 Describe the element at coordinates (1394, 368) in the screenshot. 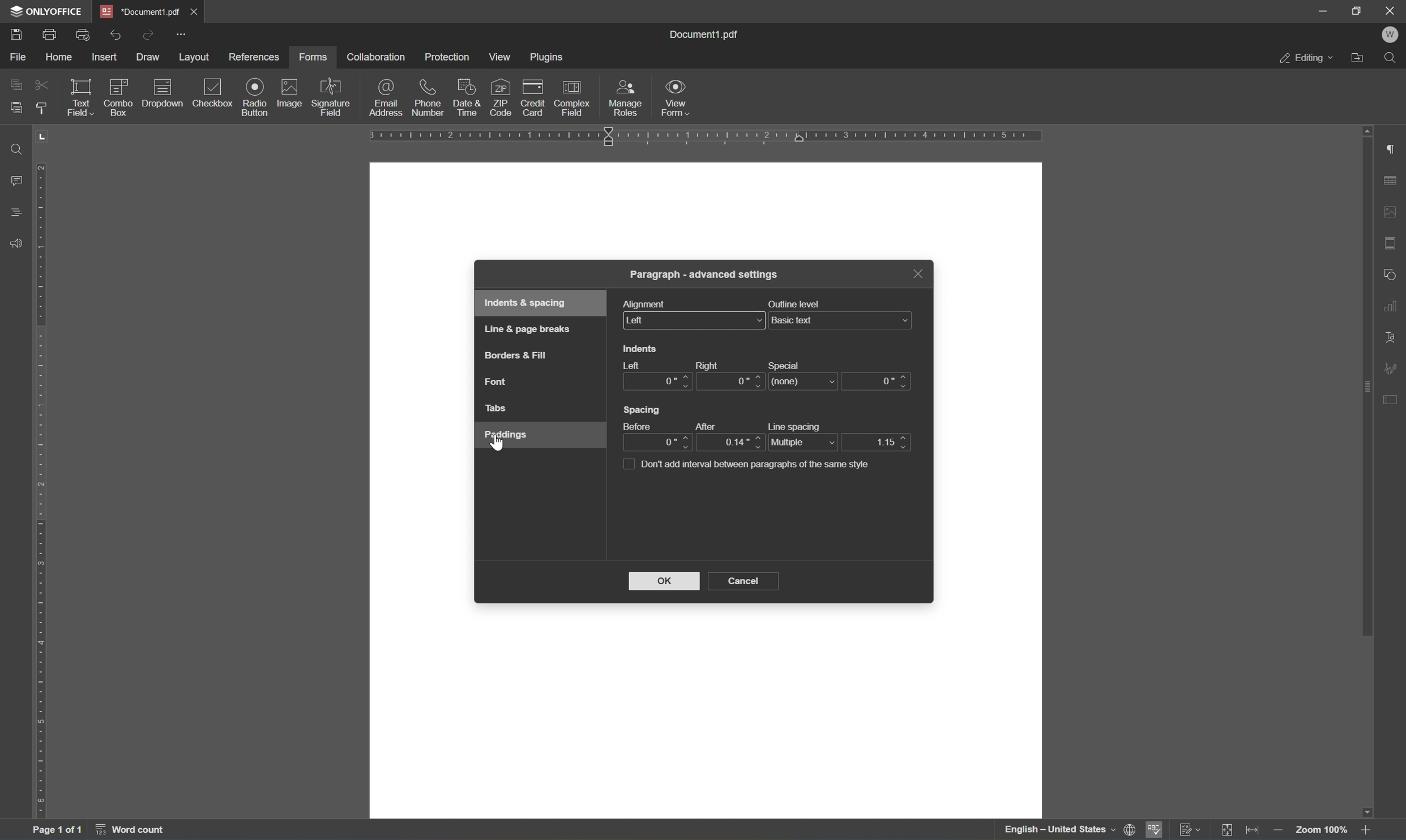

I see `signature settings` at that location.